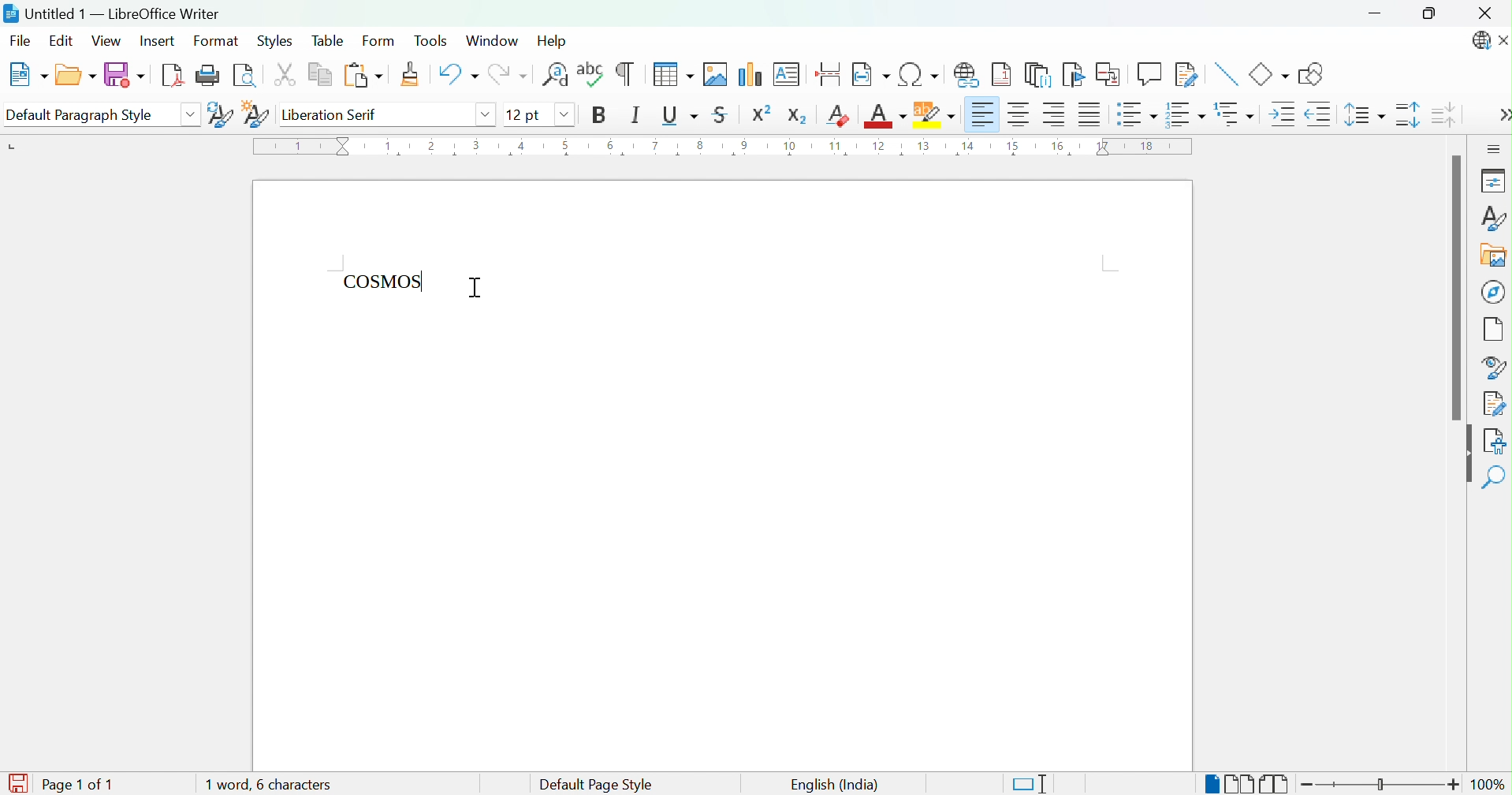  I want to click on Minimize, so click(1379, 15).